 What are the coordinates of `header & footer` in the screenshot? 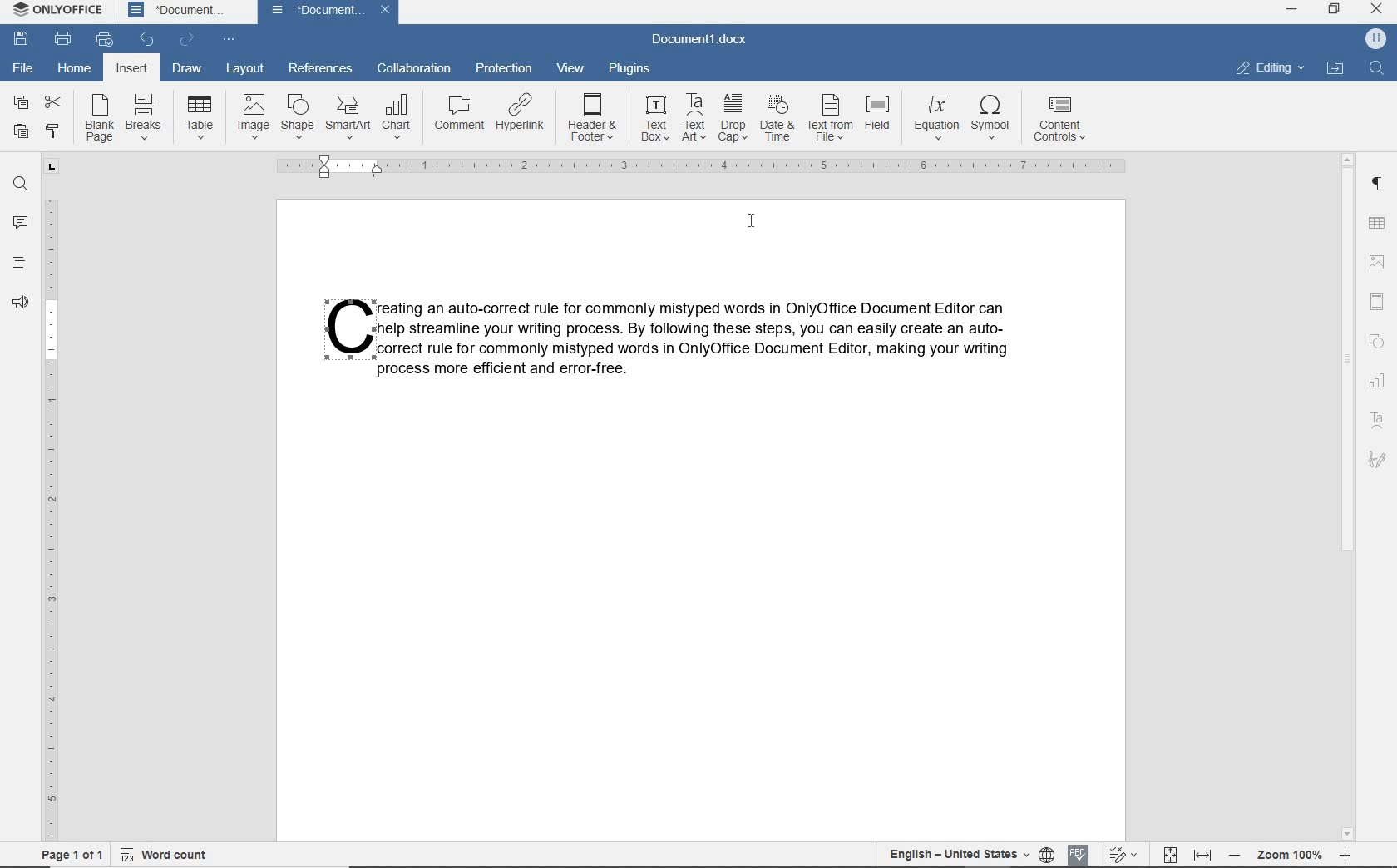 It's located at (593, 118).